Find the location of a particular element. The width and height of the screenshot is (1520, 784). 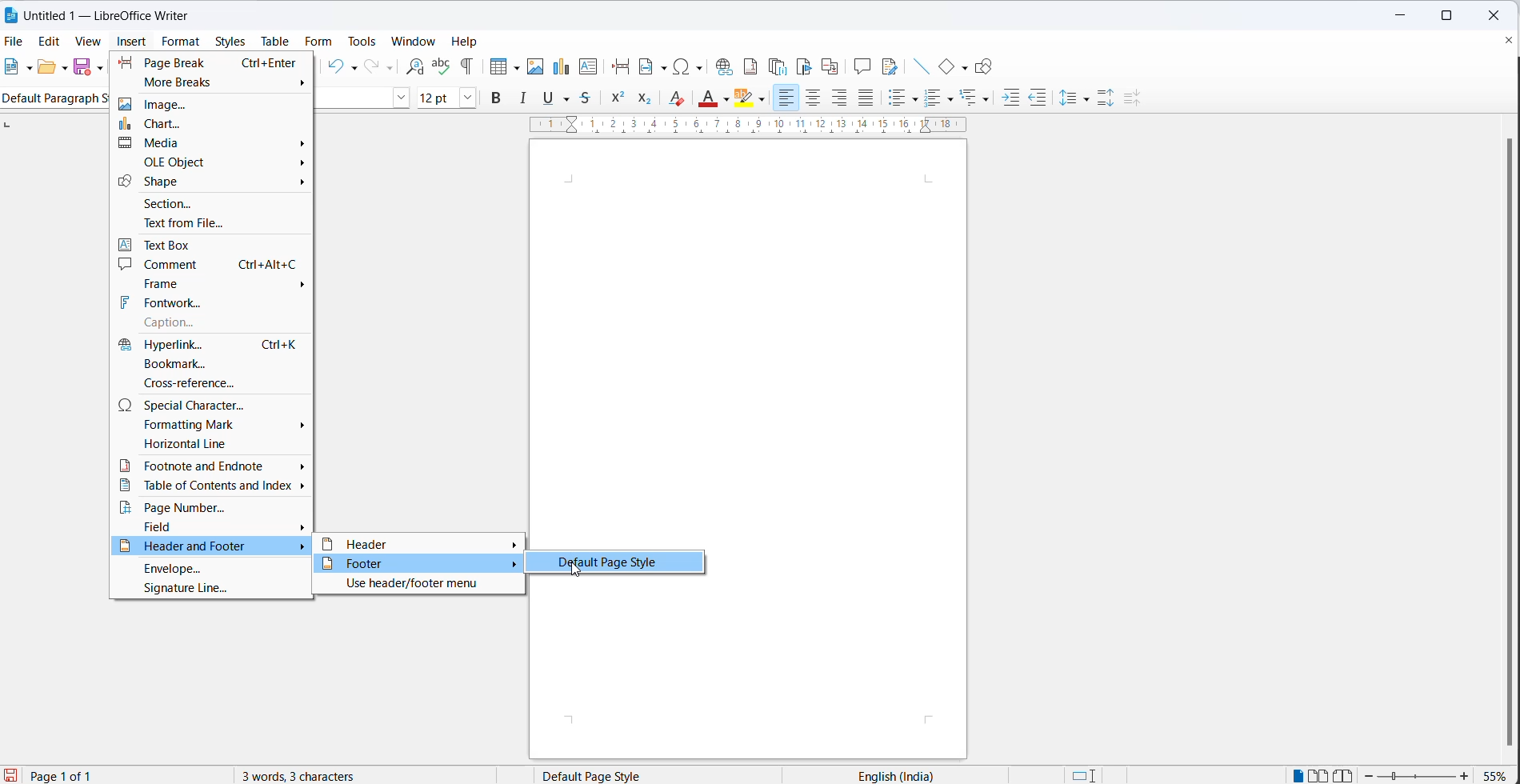

fontwork is located at coordinates (211, 306).